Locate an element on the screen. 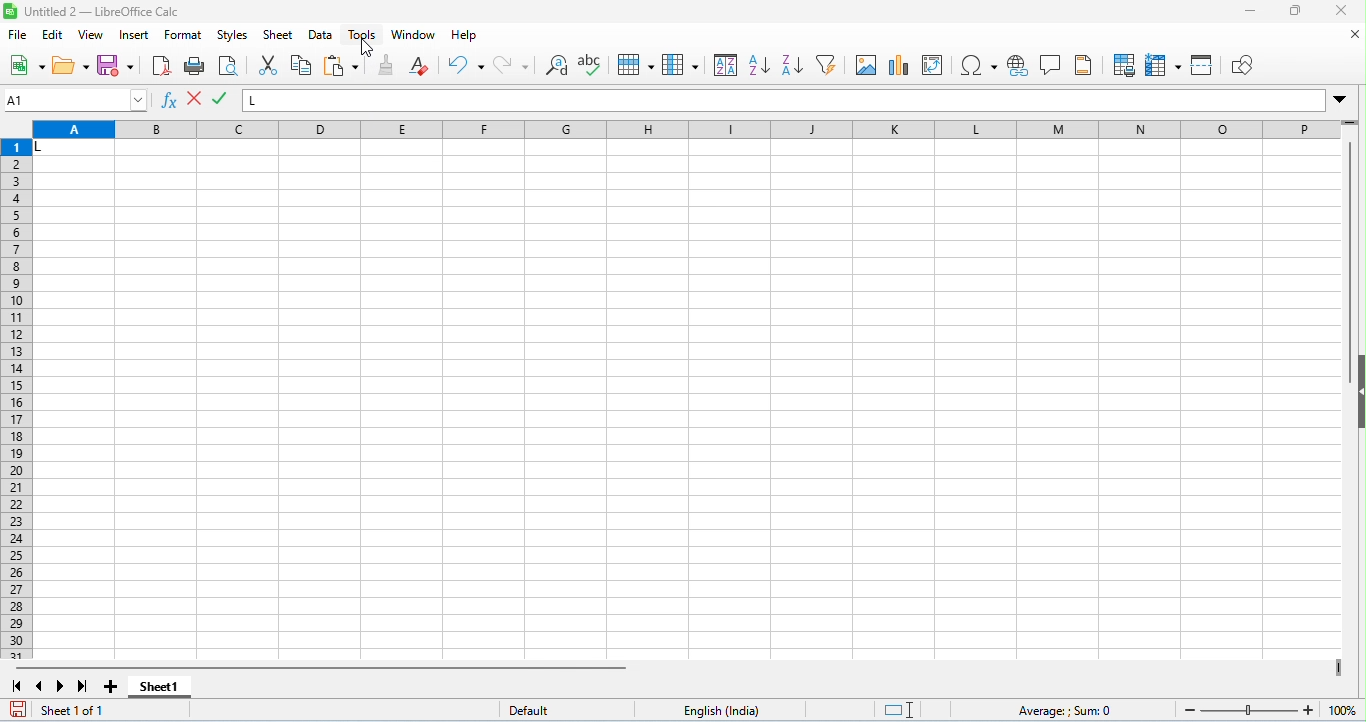 The height and width of the screenshot is (722, 1366). previous is located at coordinates (39, 686).